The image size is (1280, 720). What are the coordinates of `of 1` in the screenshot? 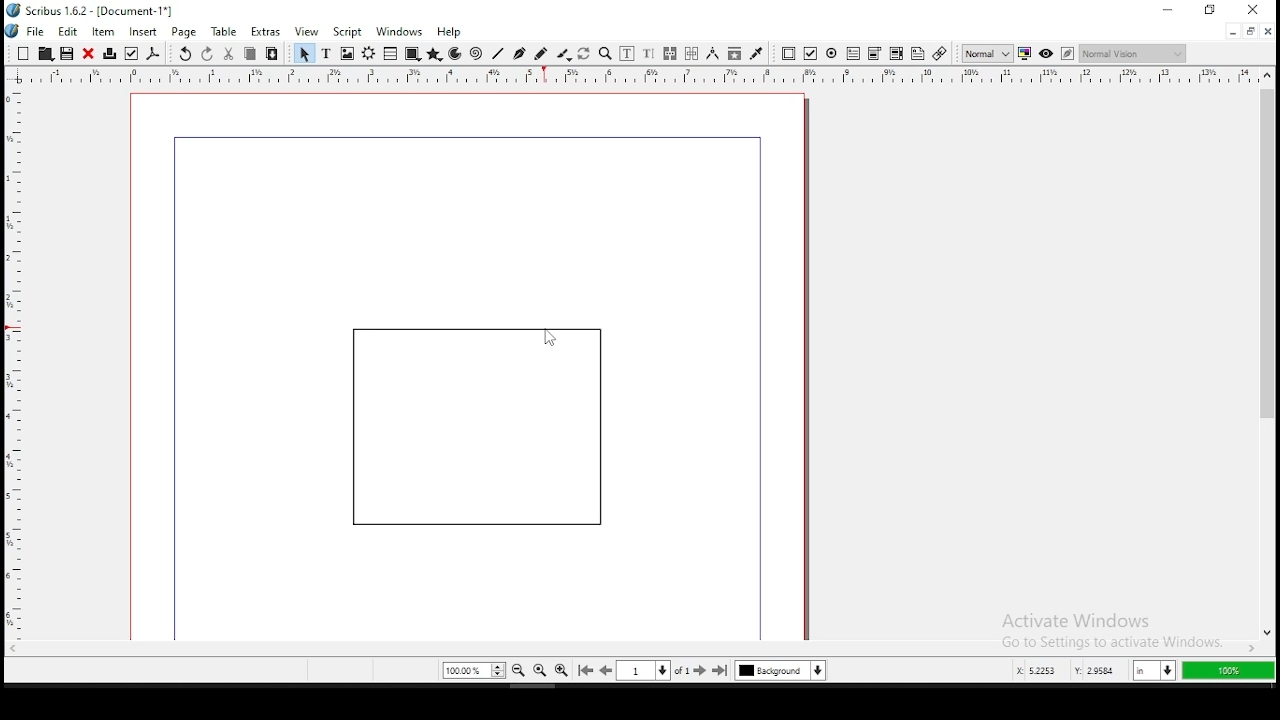 It's located at (682, 670).